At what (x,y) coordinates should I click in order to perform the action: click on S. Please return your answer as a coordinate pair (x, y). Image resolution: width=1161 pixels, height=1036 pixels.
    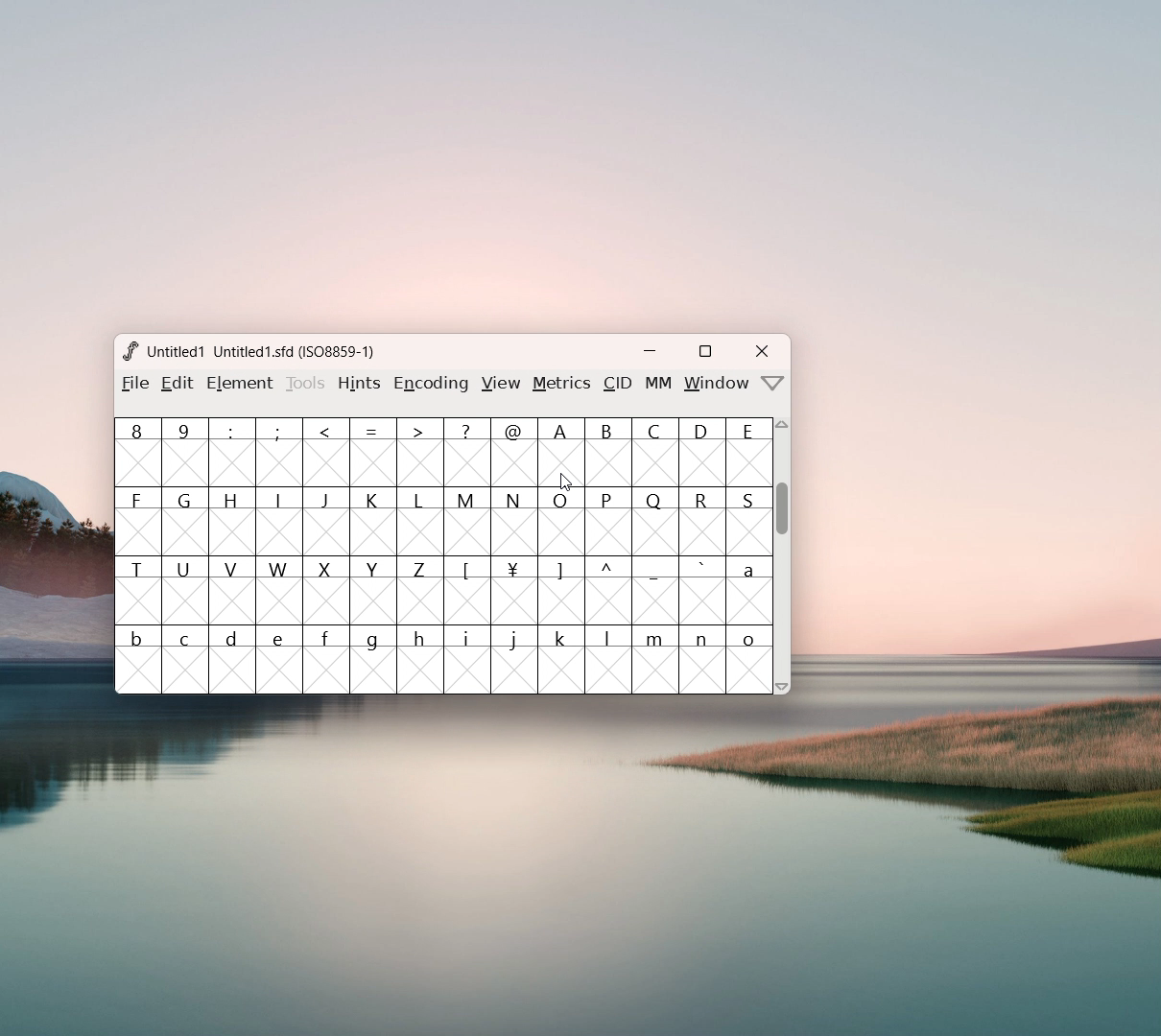
    Looking at the image, I should click on (749, 521).